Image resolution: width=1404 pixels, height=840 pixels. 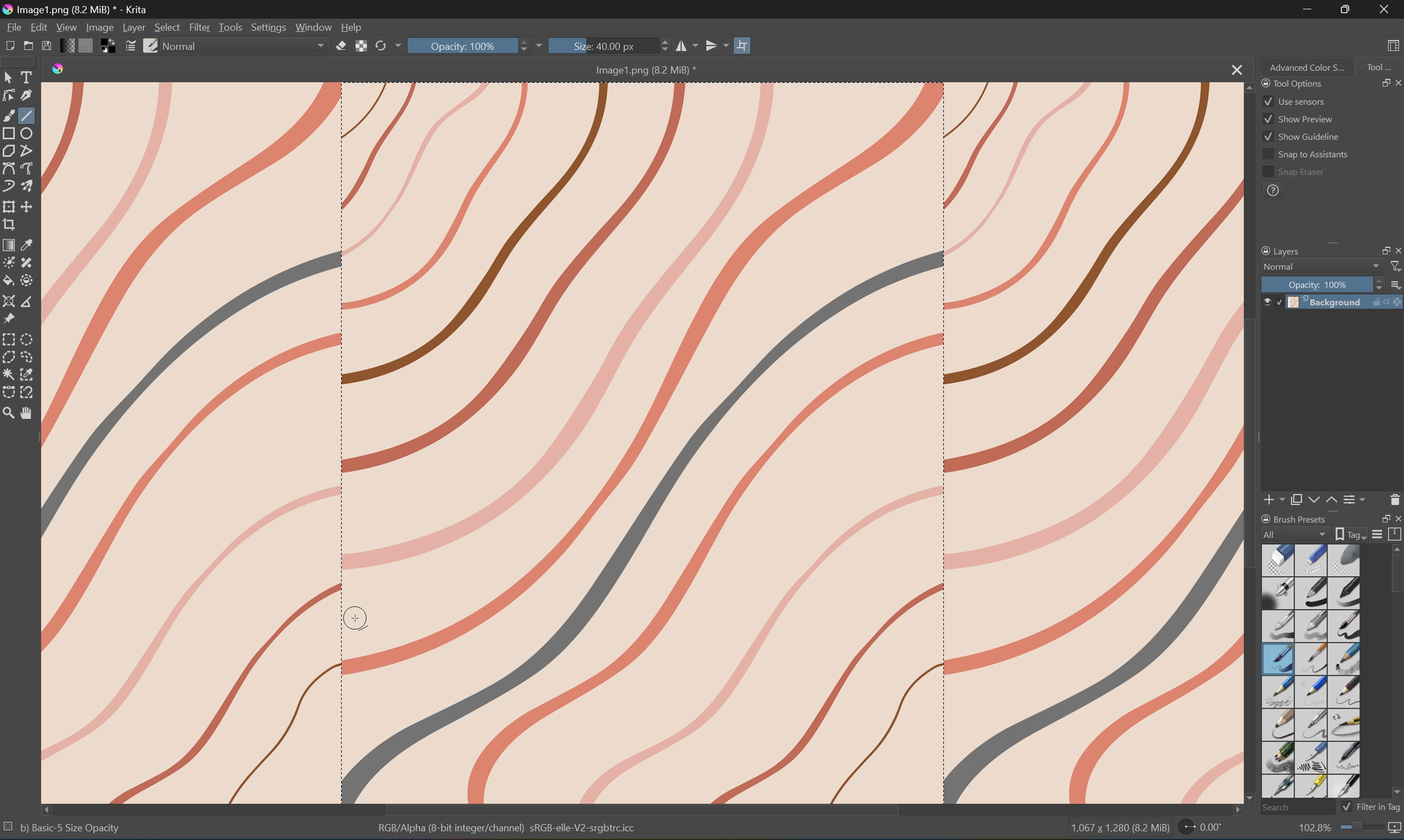 What do you see at coordinates (28, 243) in the screenshot?
I see `Sample a color from an image or area` at bounding box center [28, 243].